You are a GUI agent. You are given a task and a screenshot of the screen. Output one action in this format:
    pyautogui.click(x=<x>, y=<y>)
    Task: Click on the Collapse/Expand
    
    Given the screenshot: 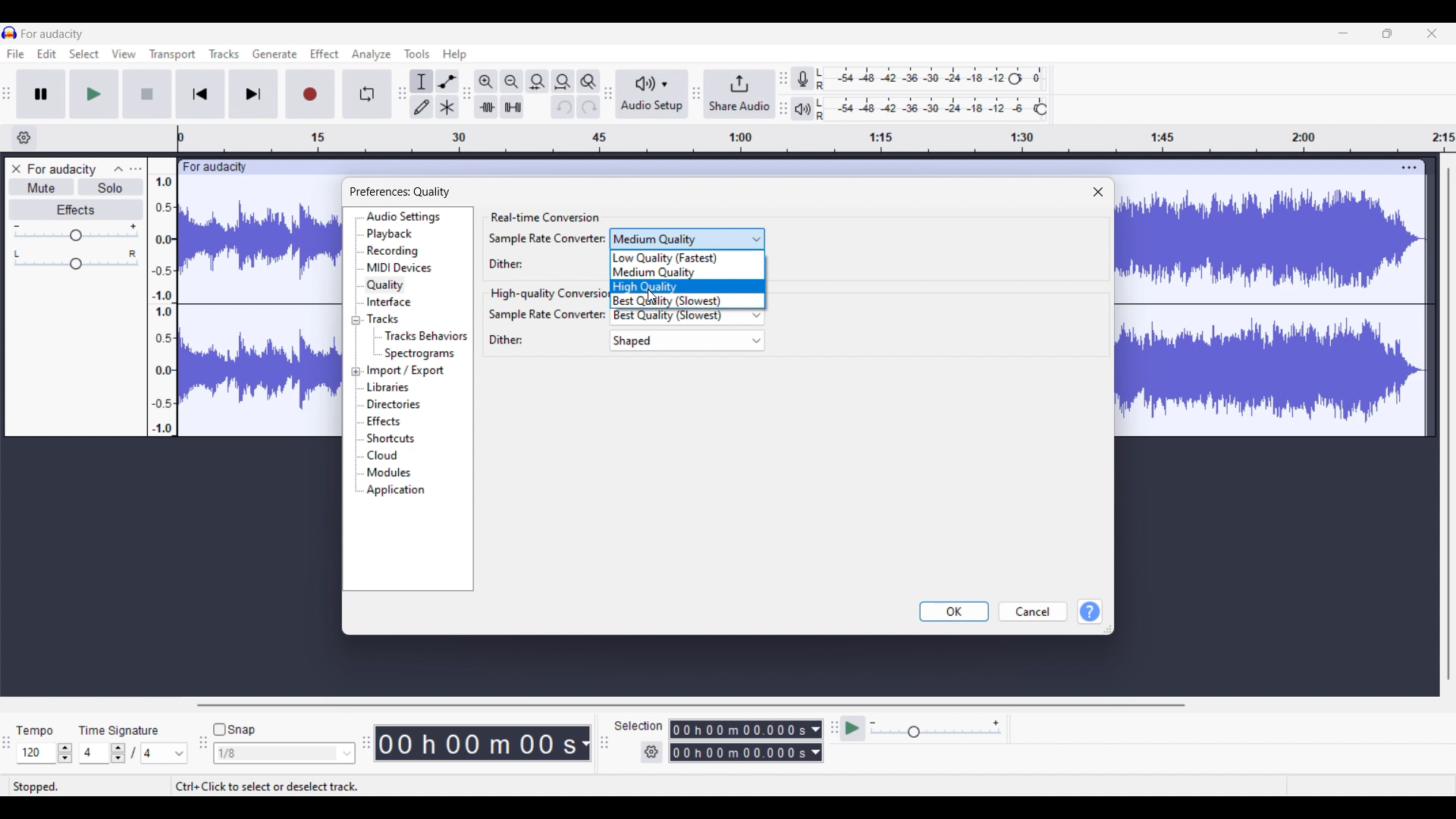 What is the action you would take?
    pyautogui.click(x=356, y=346)
    